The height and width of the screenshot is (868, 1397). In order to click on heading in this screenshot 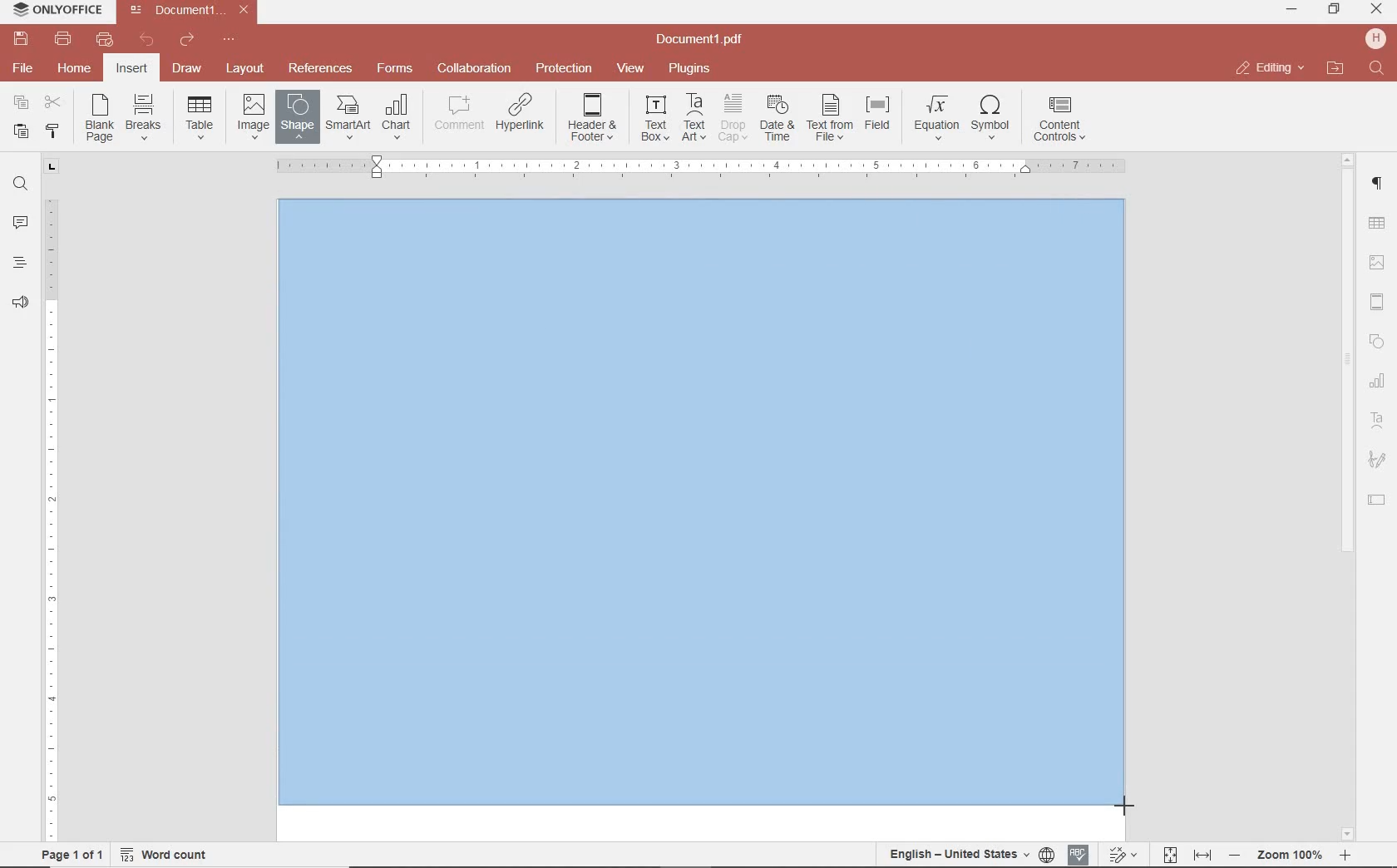, I will do `click(20, 262)`.